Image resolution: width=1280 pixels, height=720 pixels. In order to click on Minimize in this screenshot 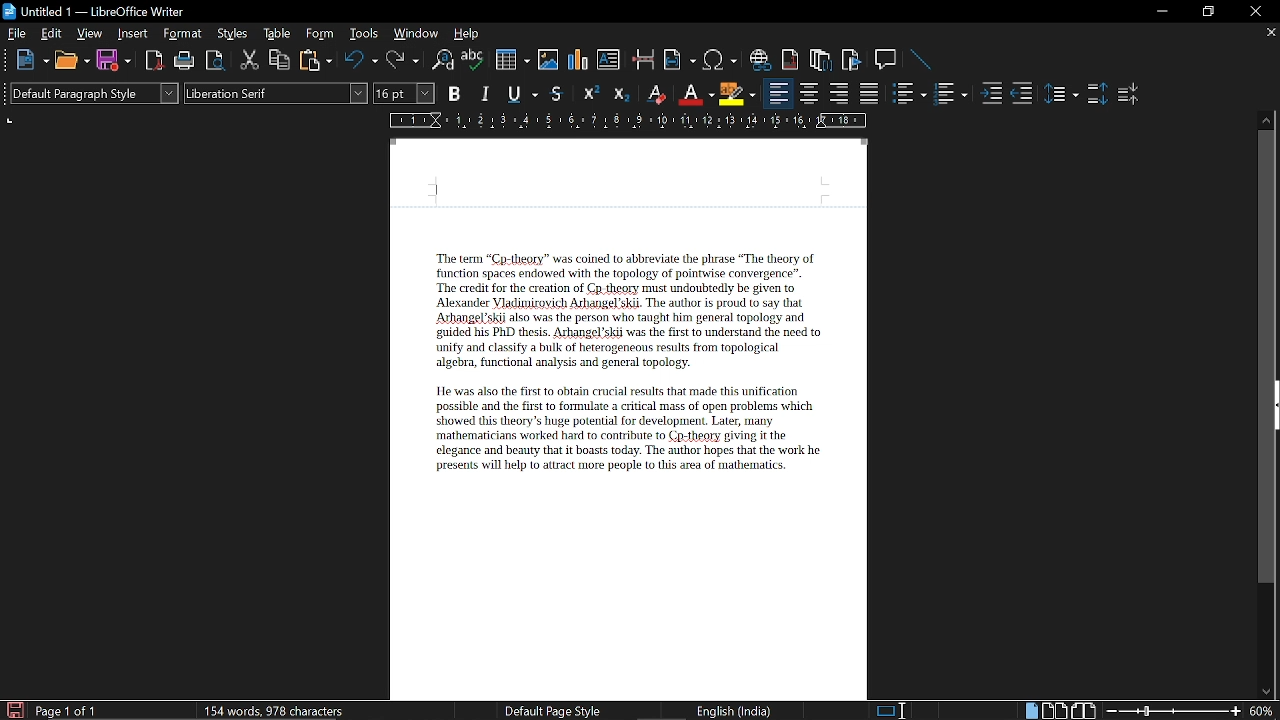, I will do `click(1161, 14)`.